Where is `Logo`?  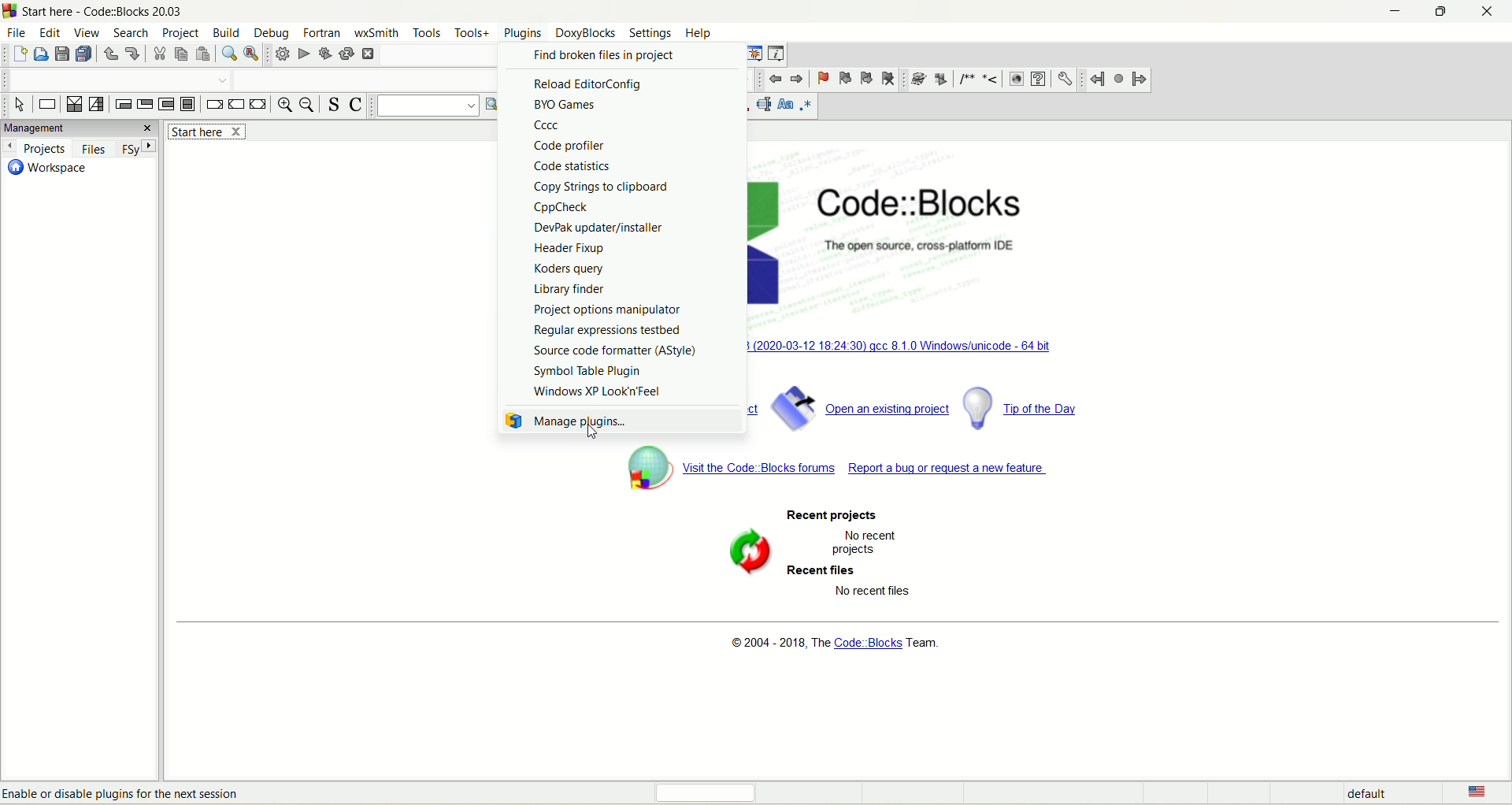 Logo is located at coordinates (745, 554).